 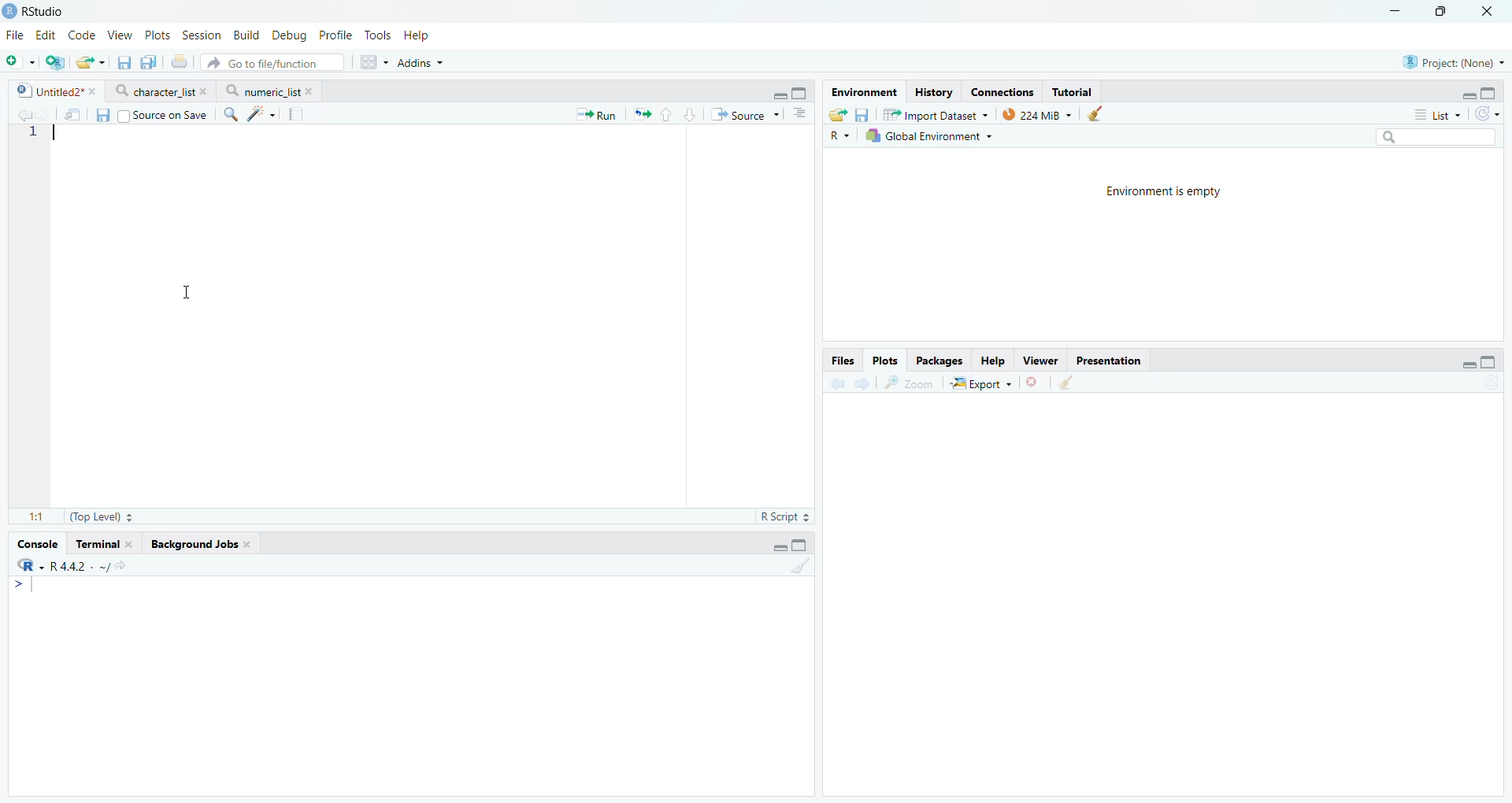 I want to click on numeric_list, so click(x=270, y=90).